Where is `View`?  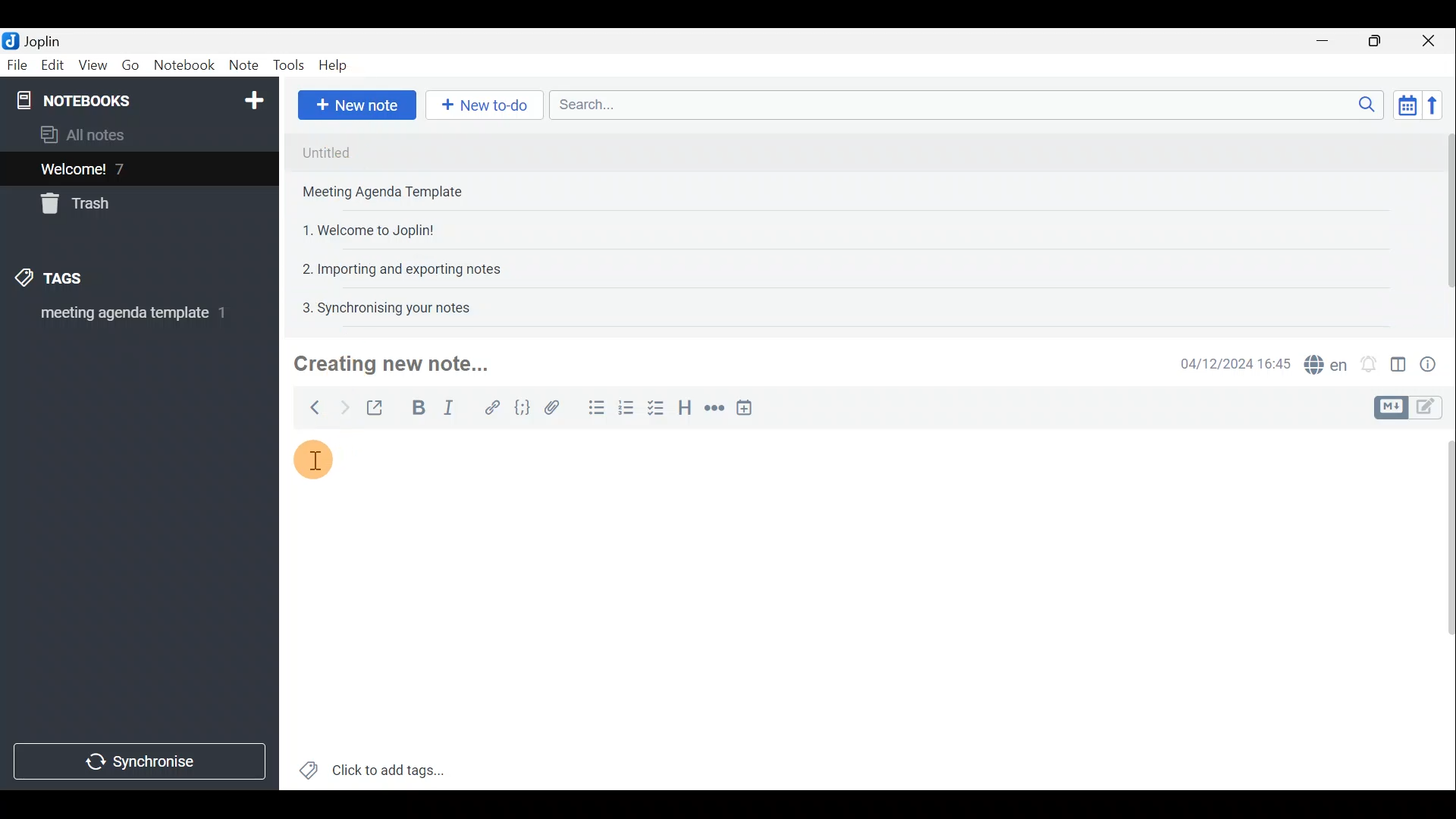
View is located at coordinates (94, 65).